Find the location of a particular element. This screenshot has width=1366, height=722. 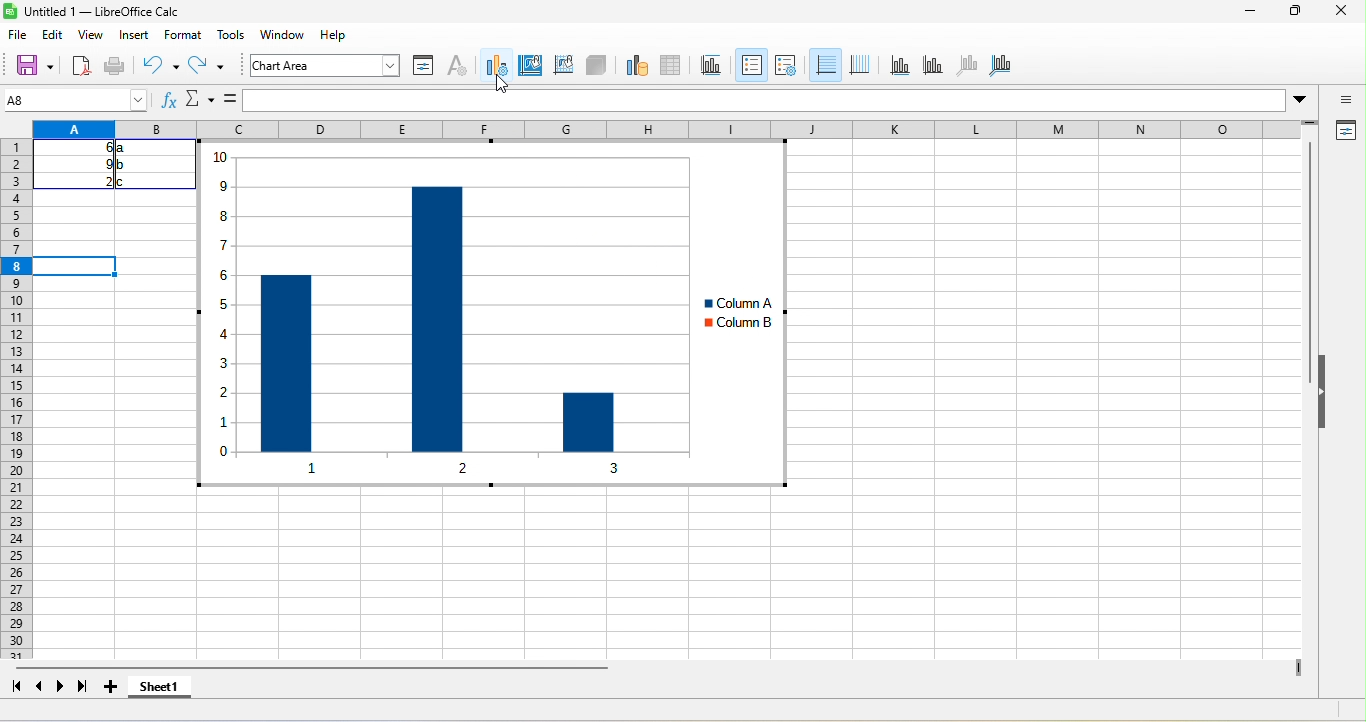

close is located at coordinates (1337, 12).